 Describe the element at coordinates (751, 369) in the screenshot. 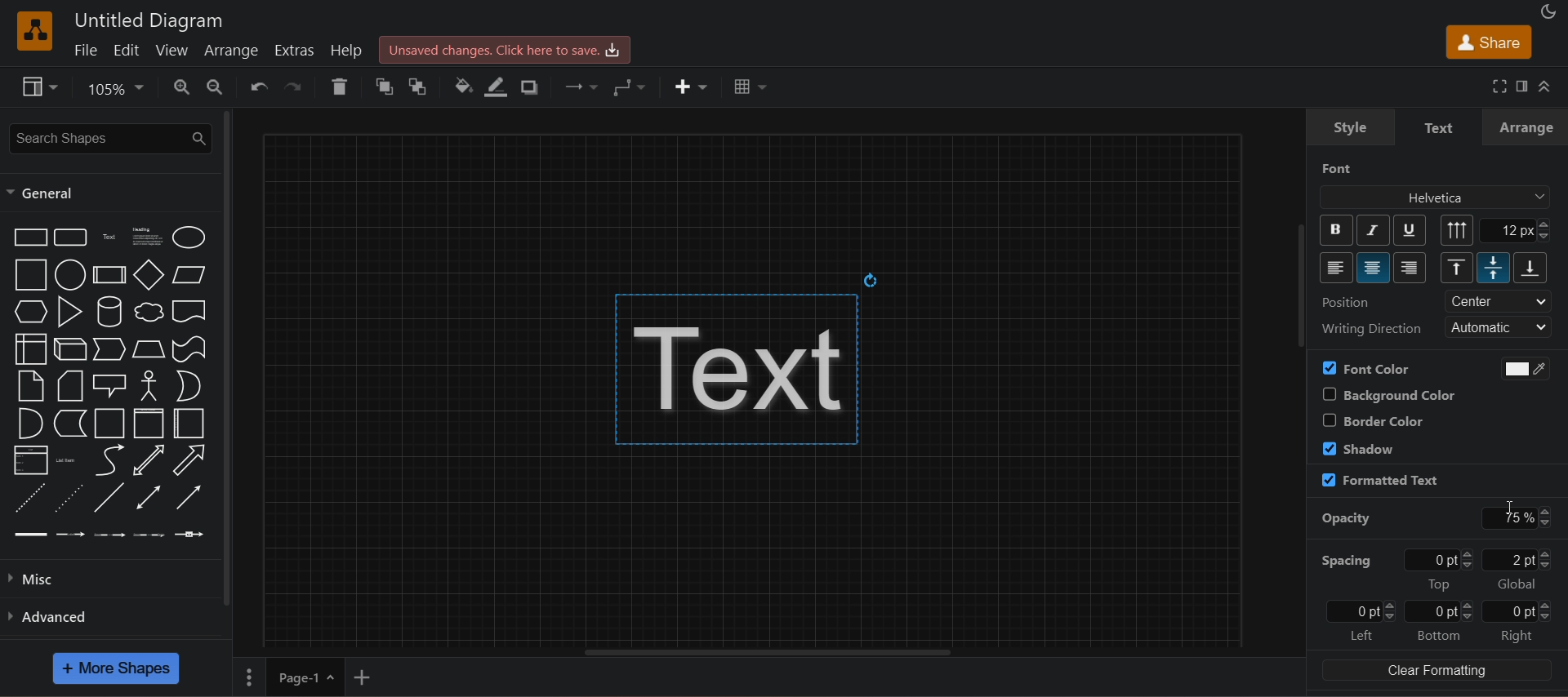

I see `text opacity set to 75%` at that location.